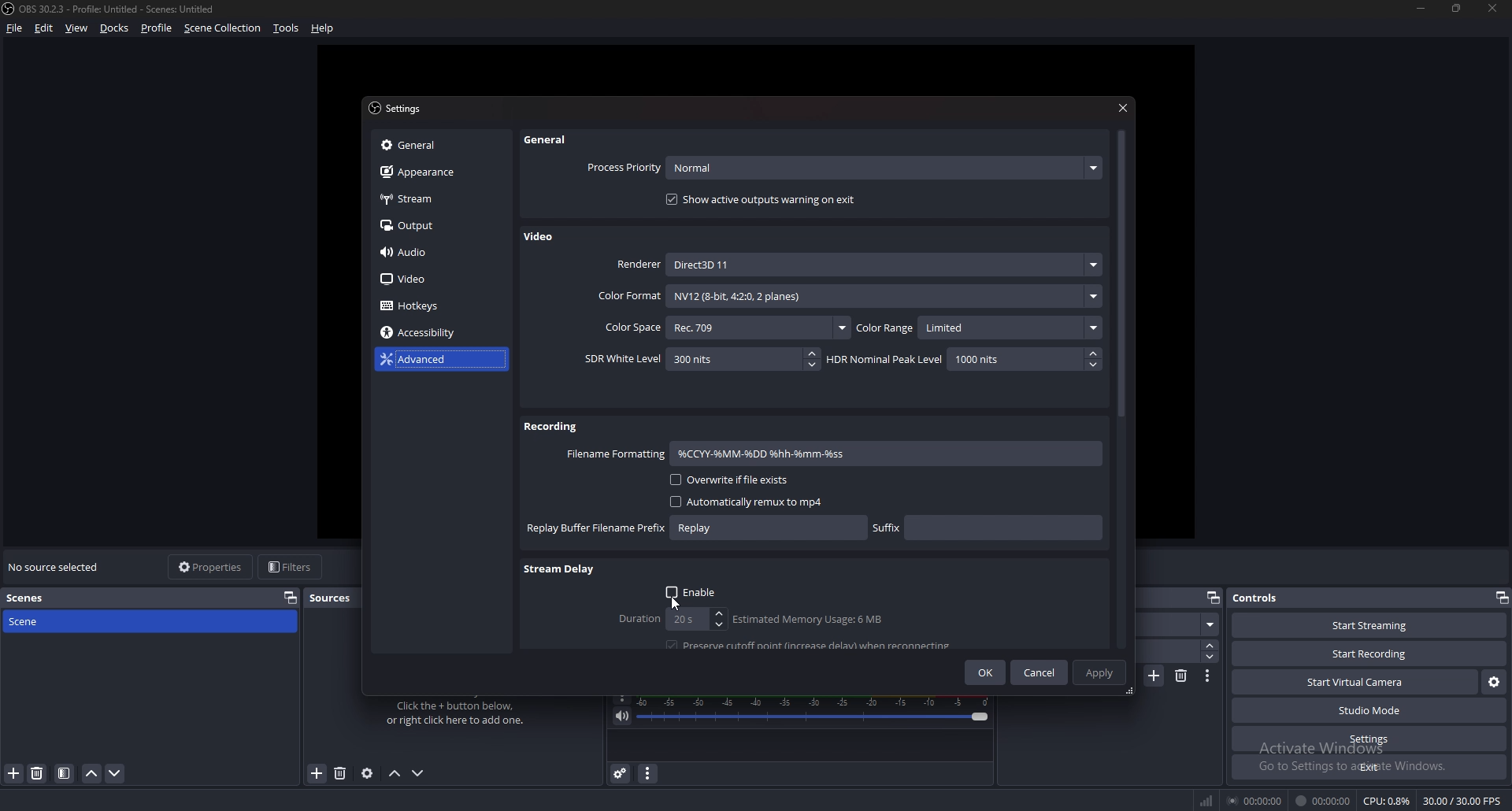  I want to click on exit, so click(1370, 767).